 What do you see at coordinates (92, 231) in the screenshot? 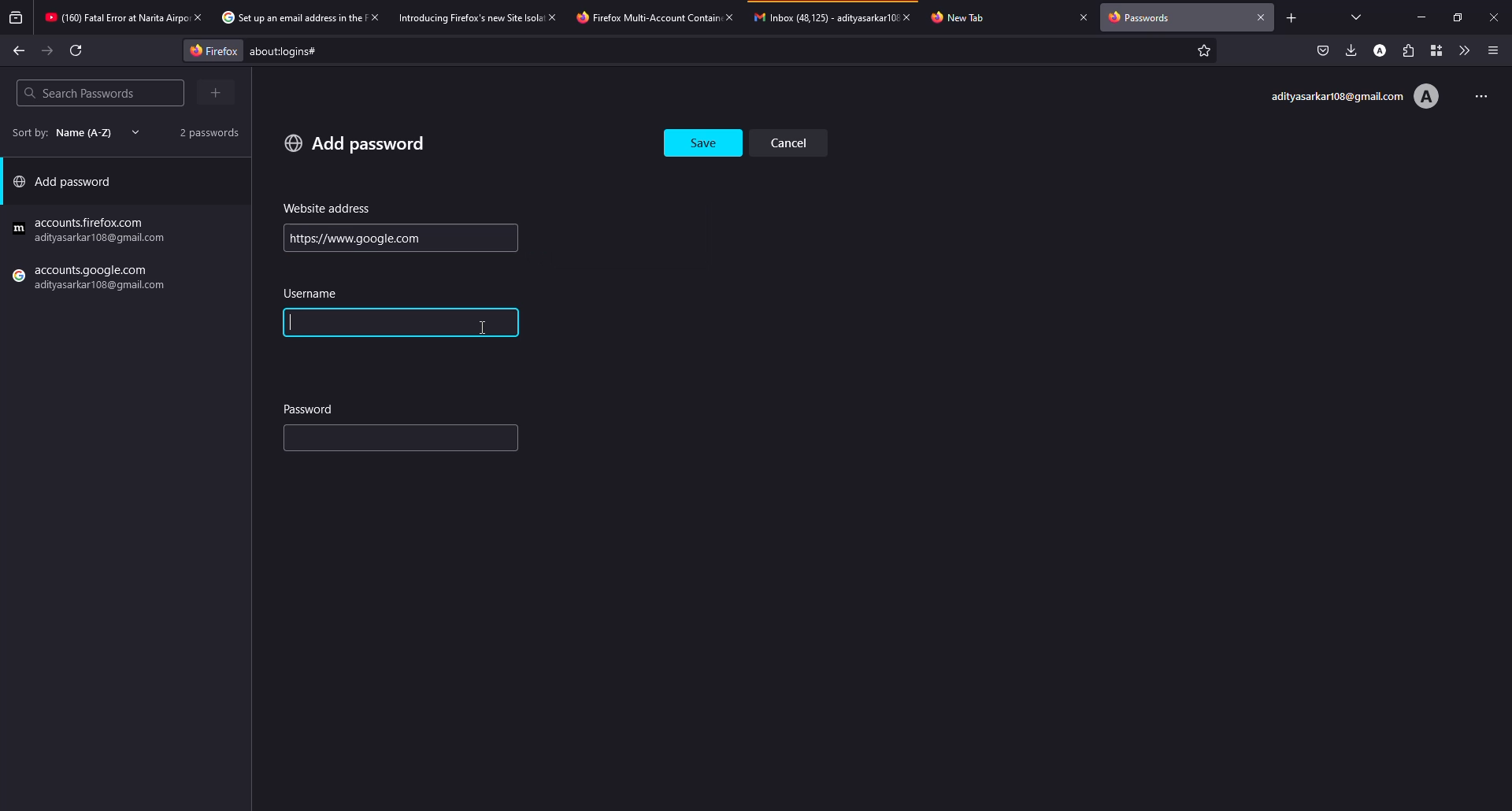
I see `google` at bounding box center [92, 231].